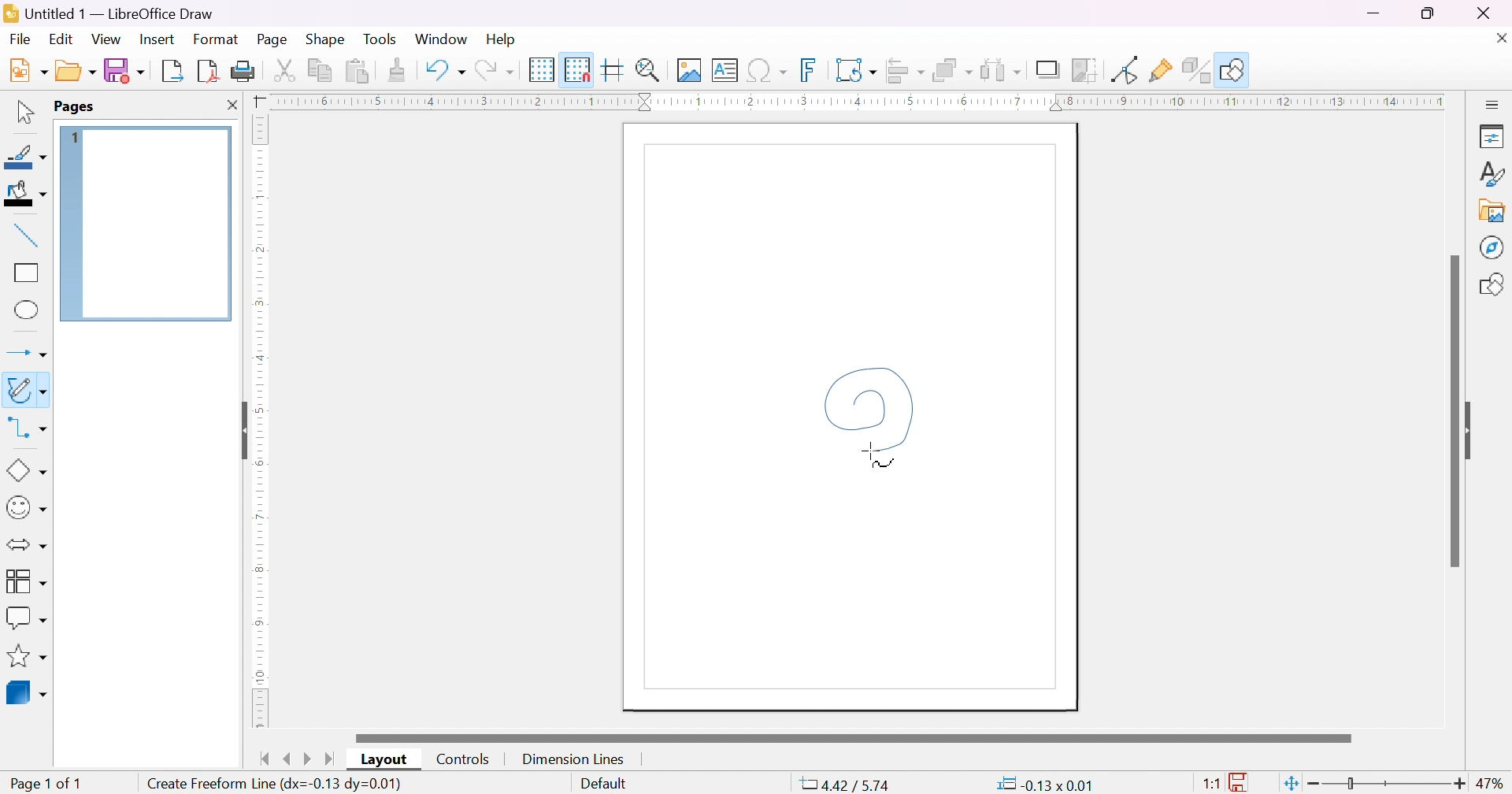 This screenshot has height=794, width=1512. What do you see at coordinates (1084, 70) in the screenshot?
I see `crop image` at bounding box center [1084, 70].